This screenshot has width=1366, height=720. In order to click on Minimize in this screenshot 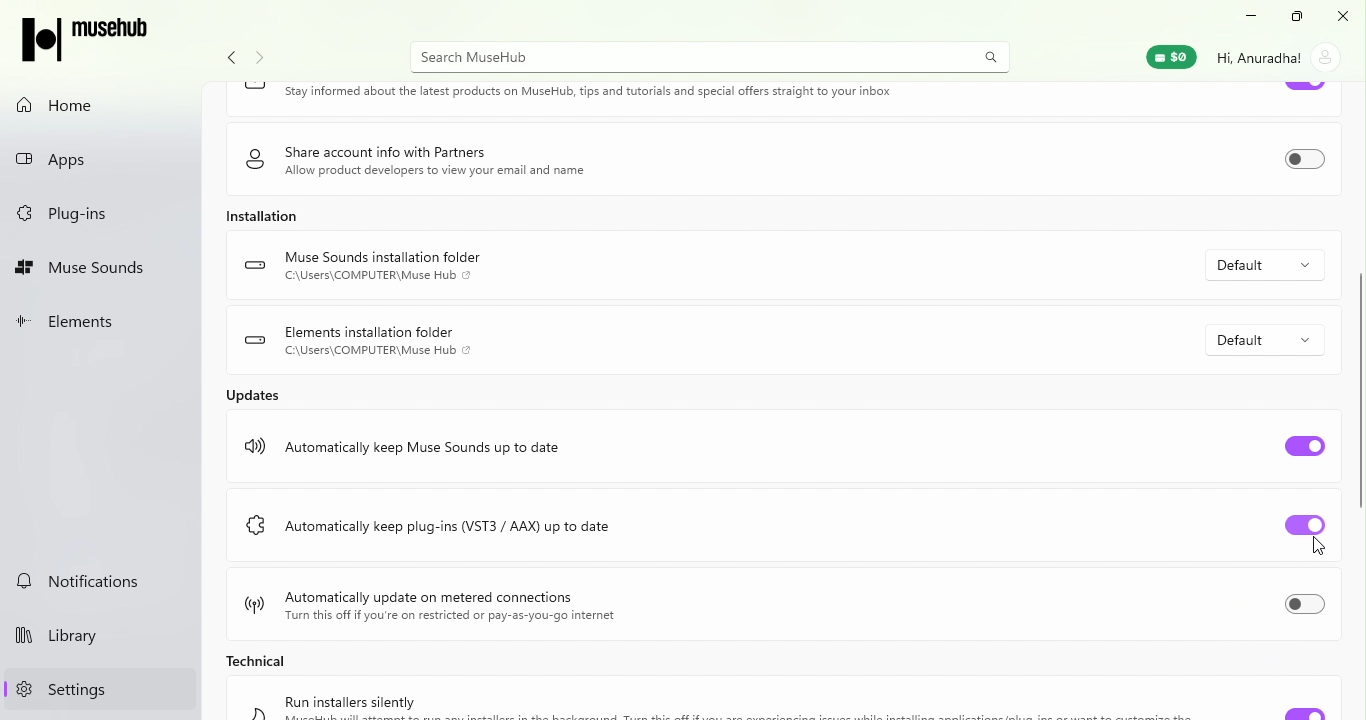, I will do `click(1248, 20)`.